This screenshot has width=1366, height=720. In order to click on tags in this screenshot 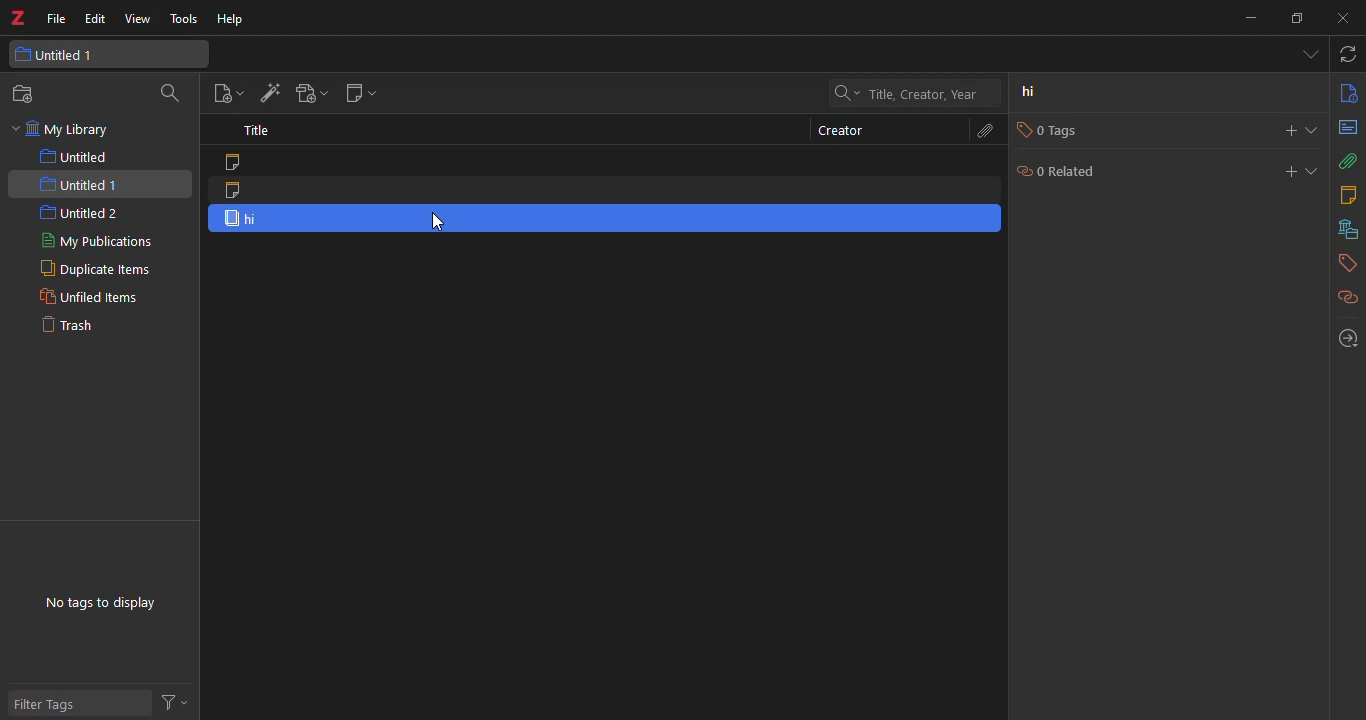, I will do `click(1345, 266)`.